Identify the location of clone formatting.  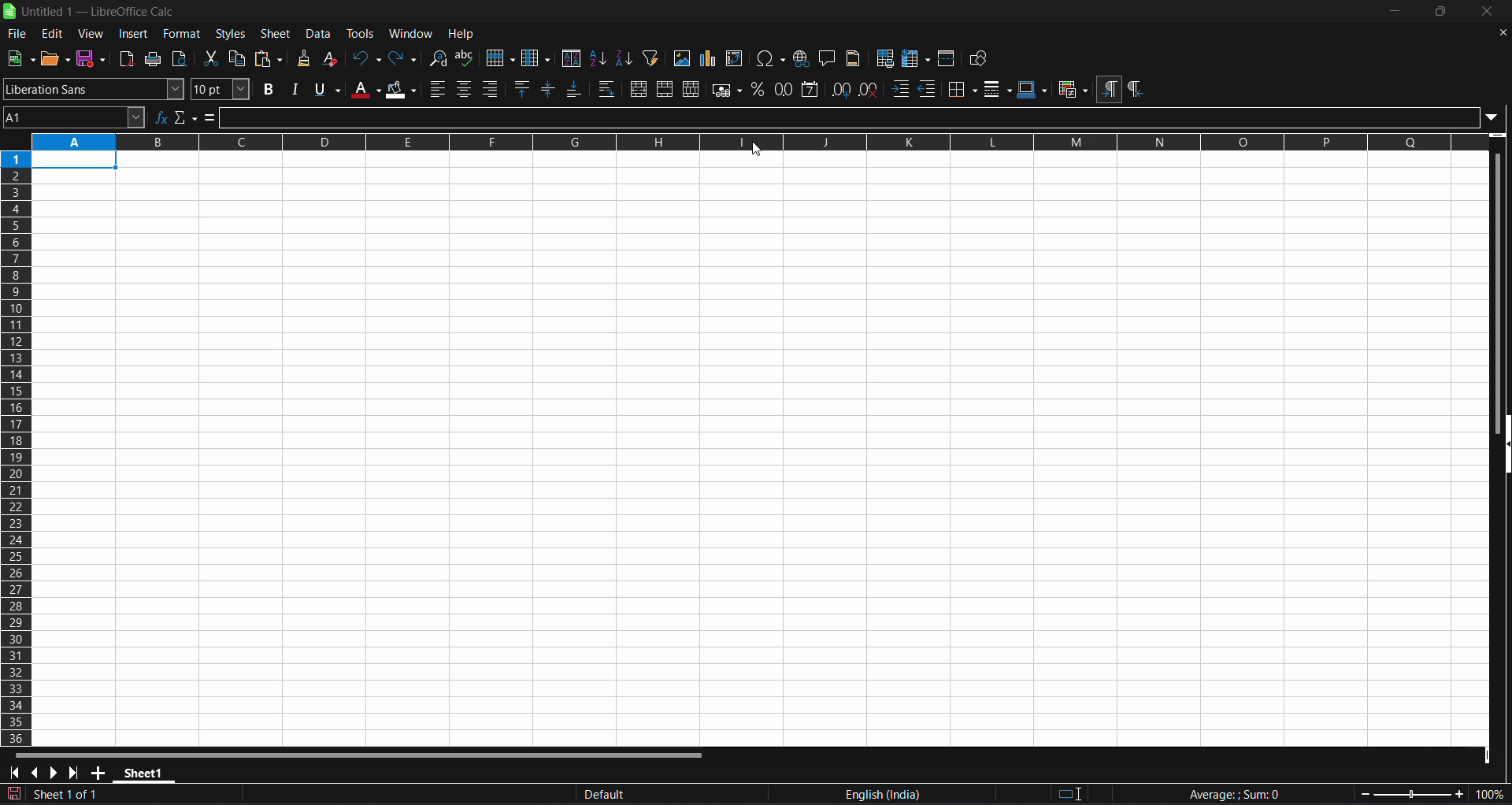
(306, 57).